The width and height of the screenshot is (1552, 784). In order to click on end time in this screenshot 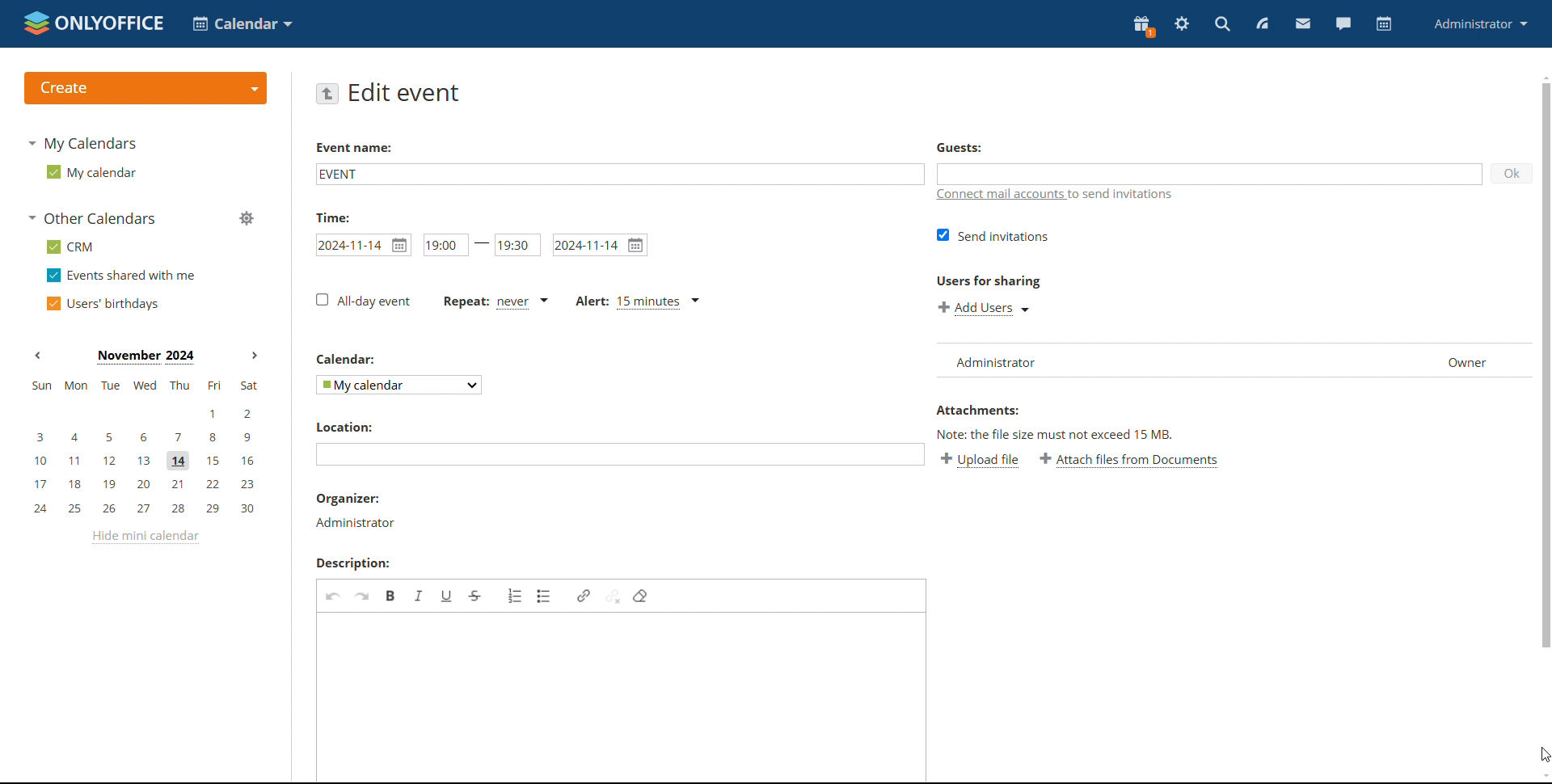, I will do `click(517, 246)`.